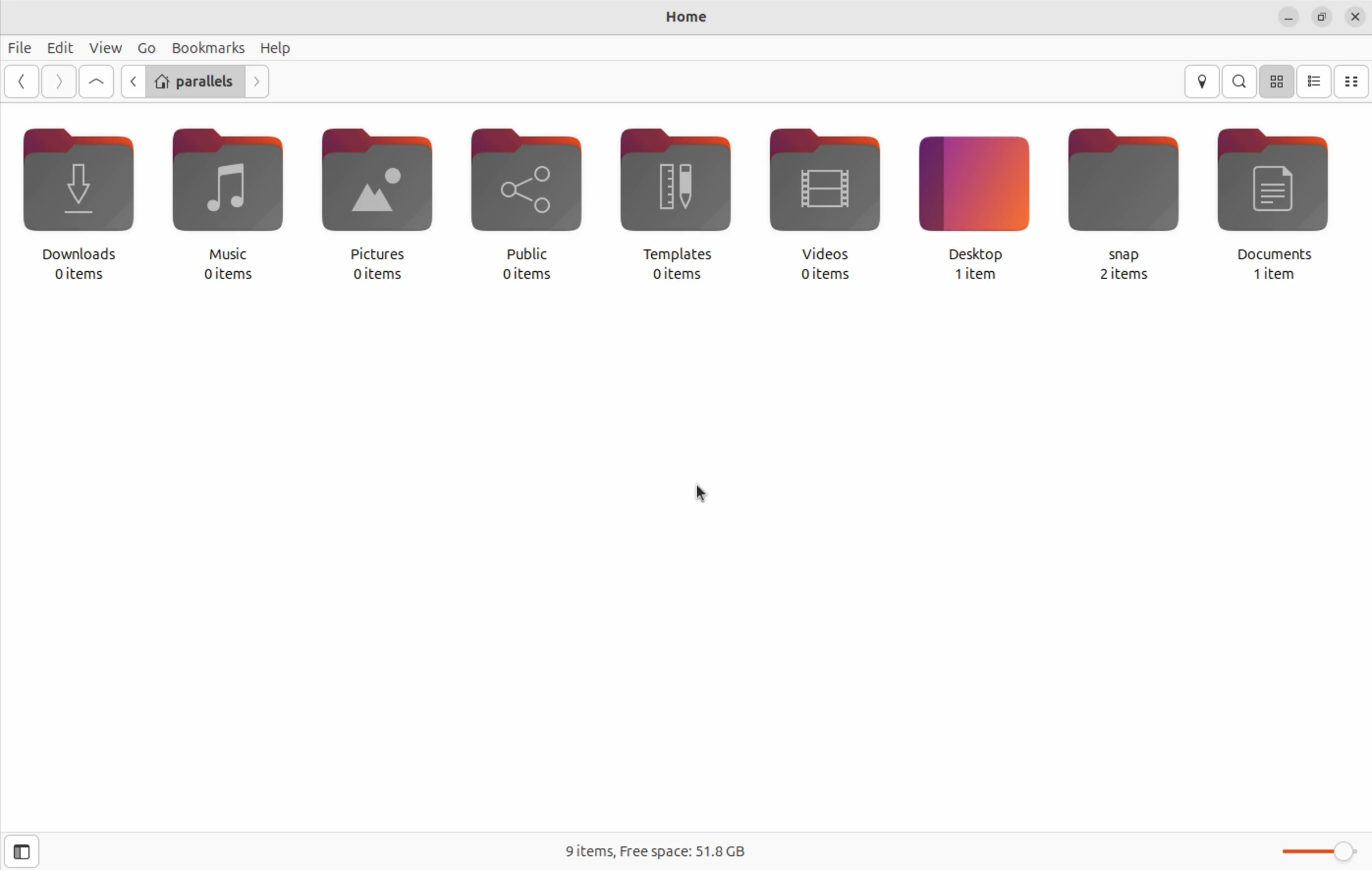  What do you see at coordinates (379, 273) in the screenshot?
I see `0 items` at bounding box center [379, 273].